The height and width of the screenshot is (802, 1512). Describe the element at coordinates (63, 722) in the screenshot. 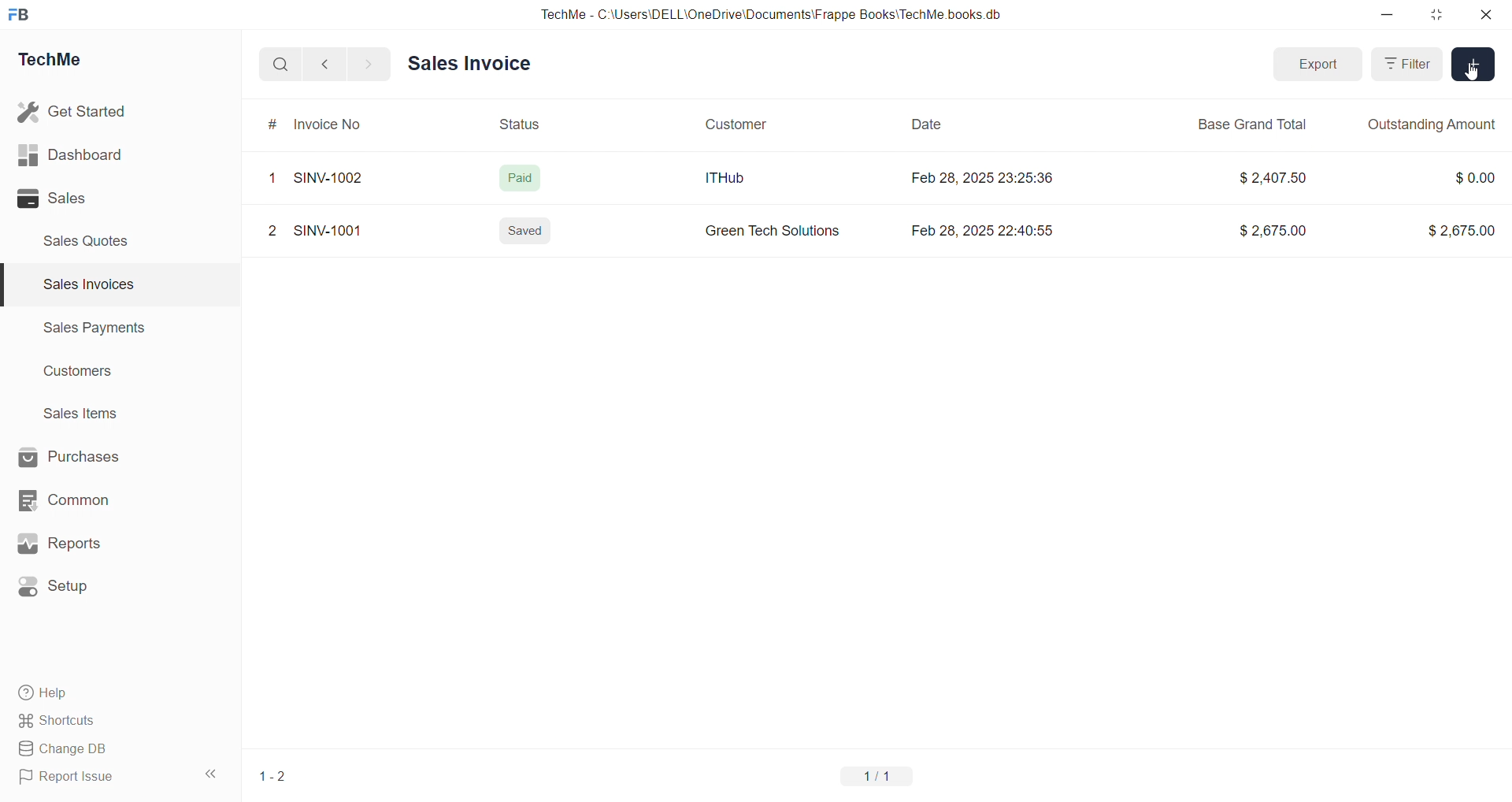

I see ` Shortcuts` at that location.